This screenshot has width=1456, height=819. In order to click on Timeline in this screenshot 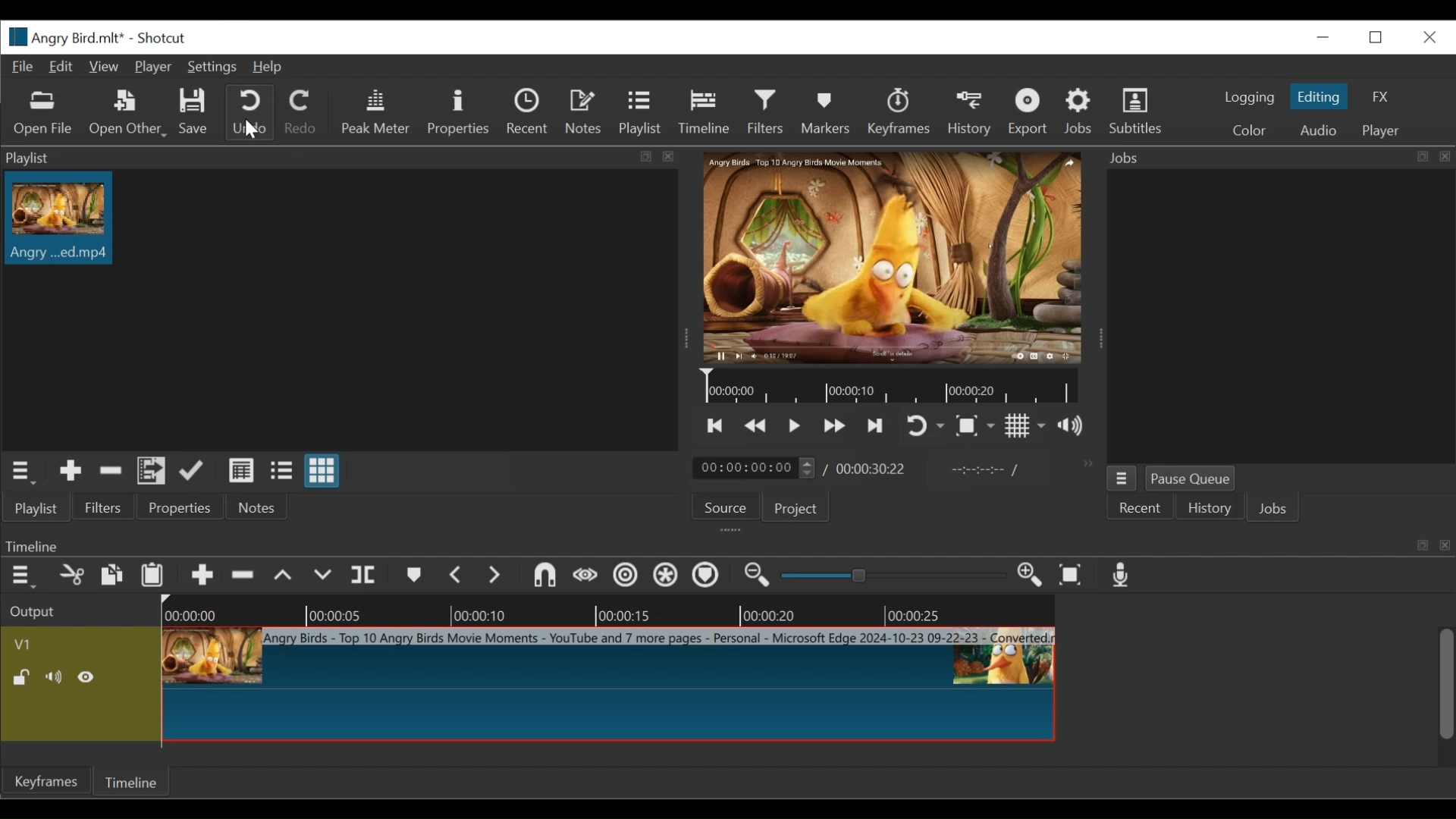, I will do `click(890, 387)`.